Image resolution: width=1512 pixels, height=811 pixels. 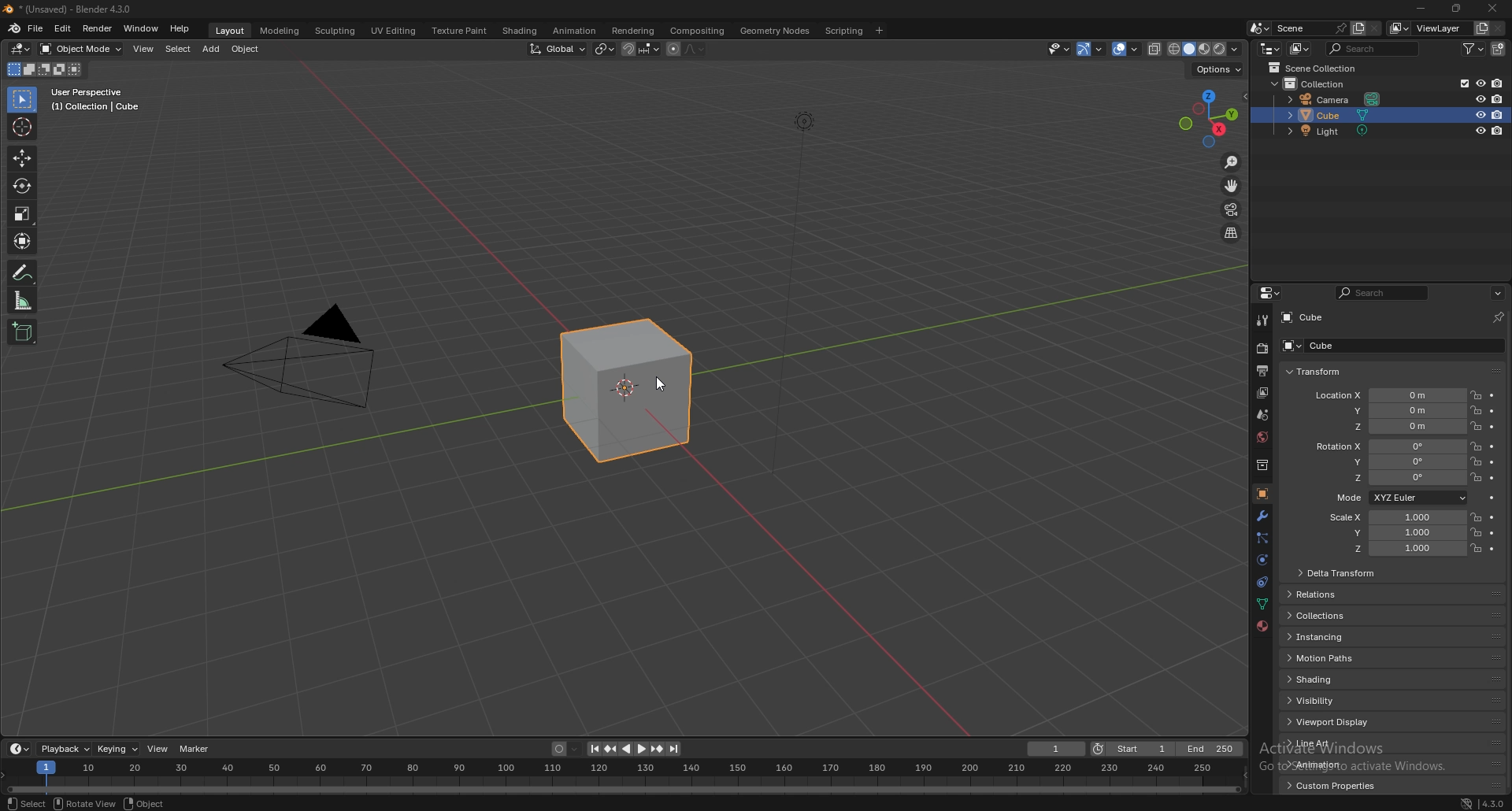 What do you see at coordinates (1498, 99) in the screenshot?
I see `disable in render` at bounding box center [1498, 99].